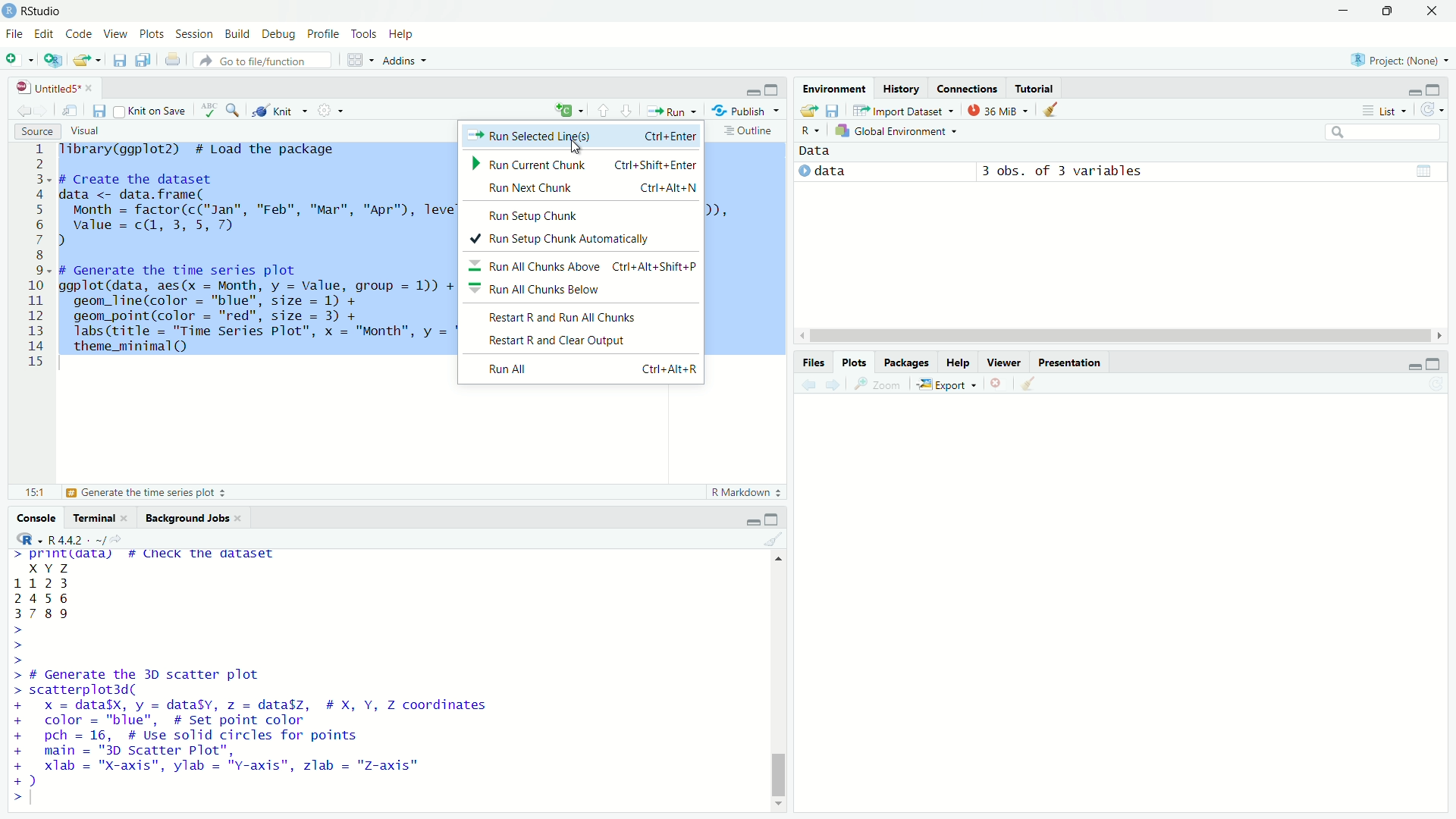  What do you see at coordinates (1072, 171) in the screenshot?
I see `3 obs. of 3 variables` at bounding box center [1072, 171].